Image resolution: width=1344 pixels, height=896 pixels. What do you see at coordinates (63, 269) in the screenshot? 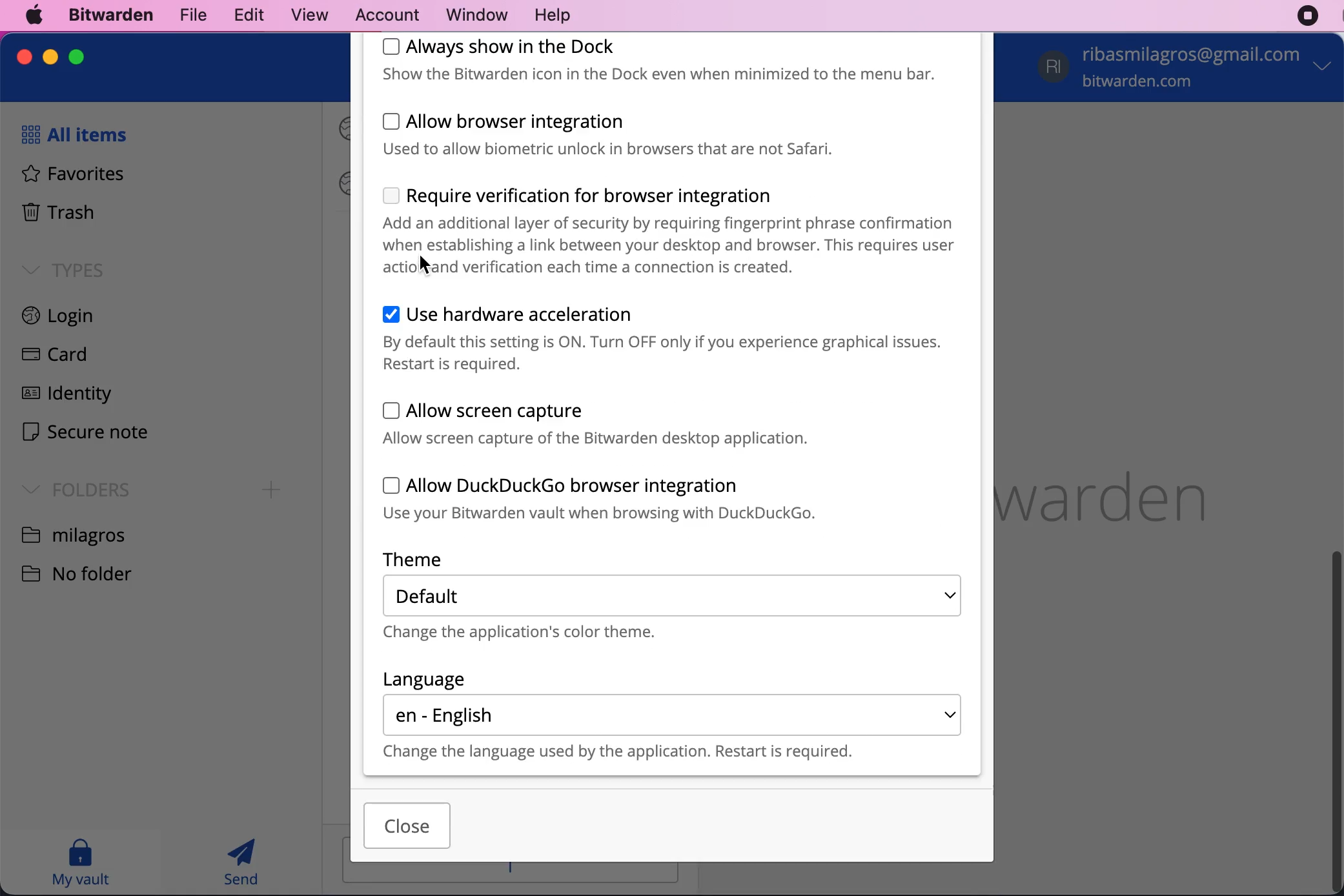
I see `types` at bounding box center [63, 269].